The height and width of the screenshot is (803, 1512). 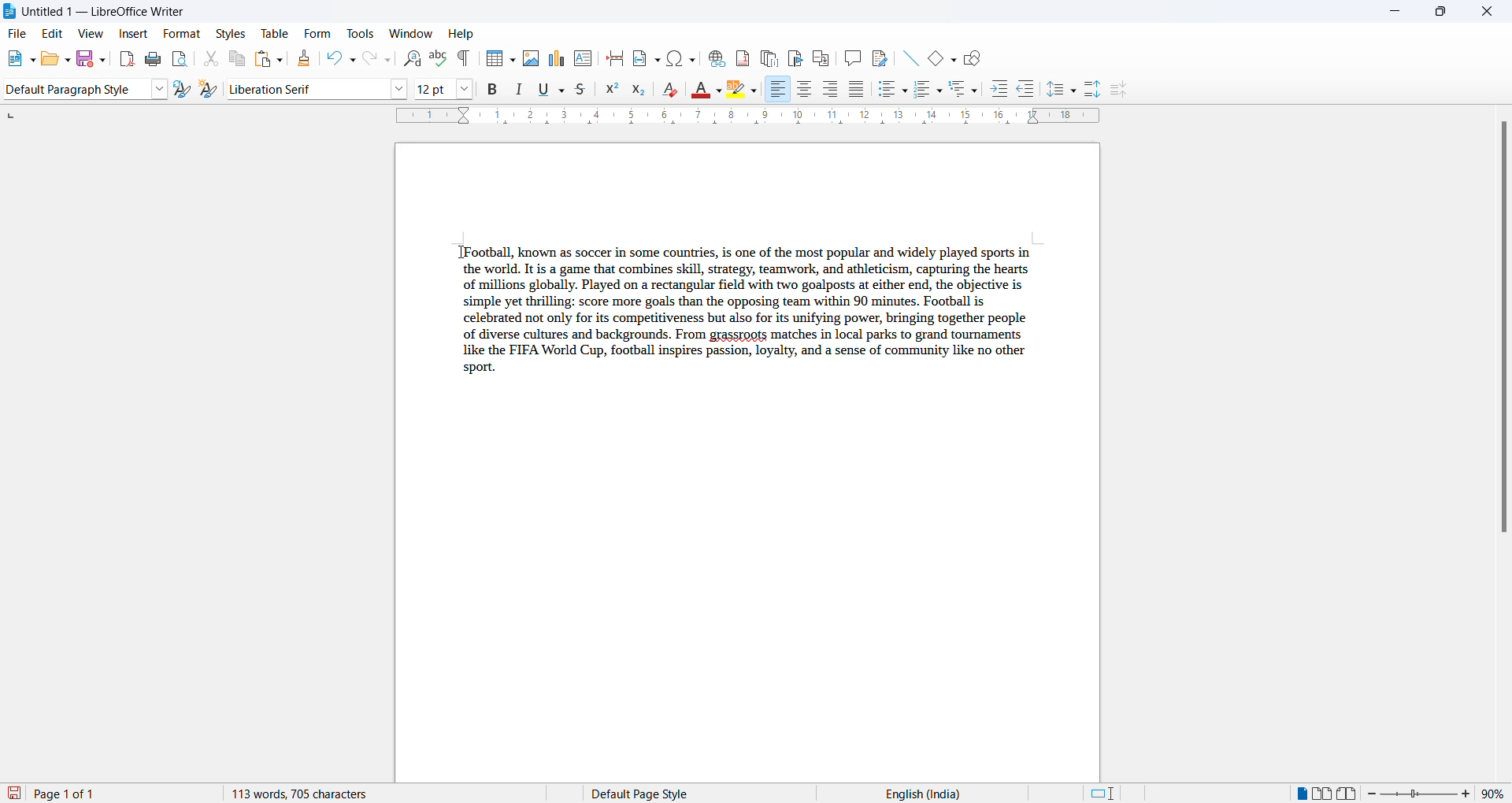 I want to click on text align center, so click(x=831, y=90).